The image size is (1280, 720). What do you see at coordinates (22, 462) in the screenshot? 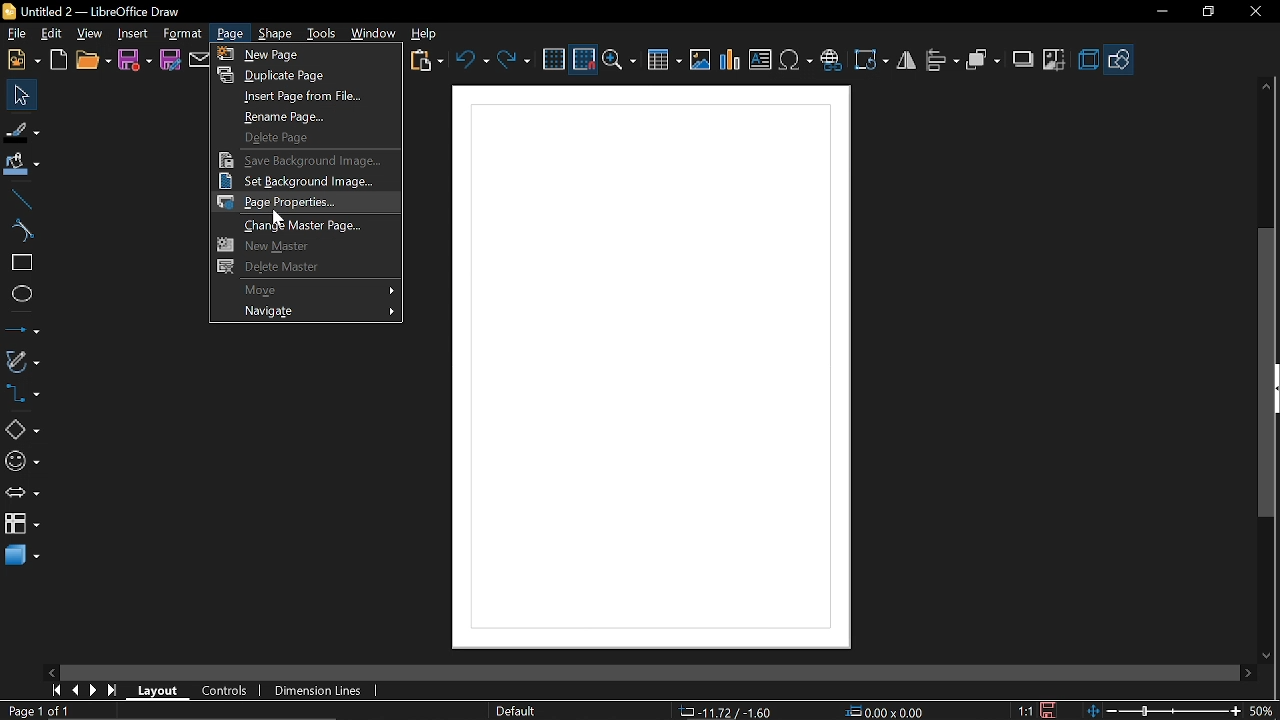
I see `Symbol shapes` at bounding box center [22, 462].